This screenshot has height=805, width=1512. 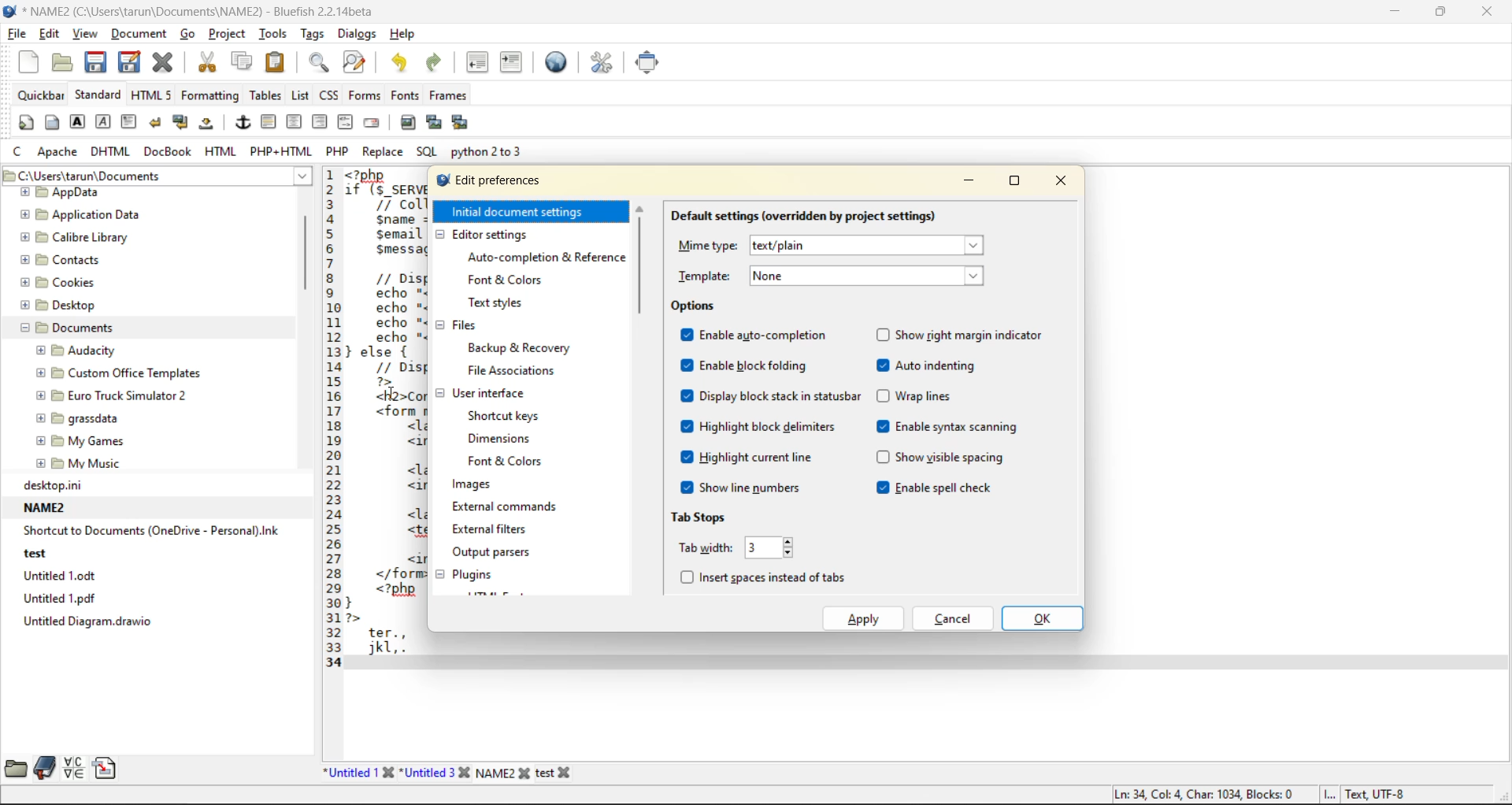 What do you see at coordinates (42, 95) in the screenshot?
I see `quickbar` at bounding box center [42, 95].